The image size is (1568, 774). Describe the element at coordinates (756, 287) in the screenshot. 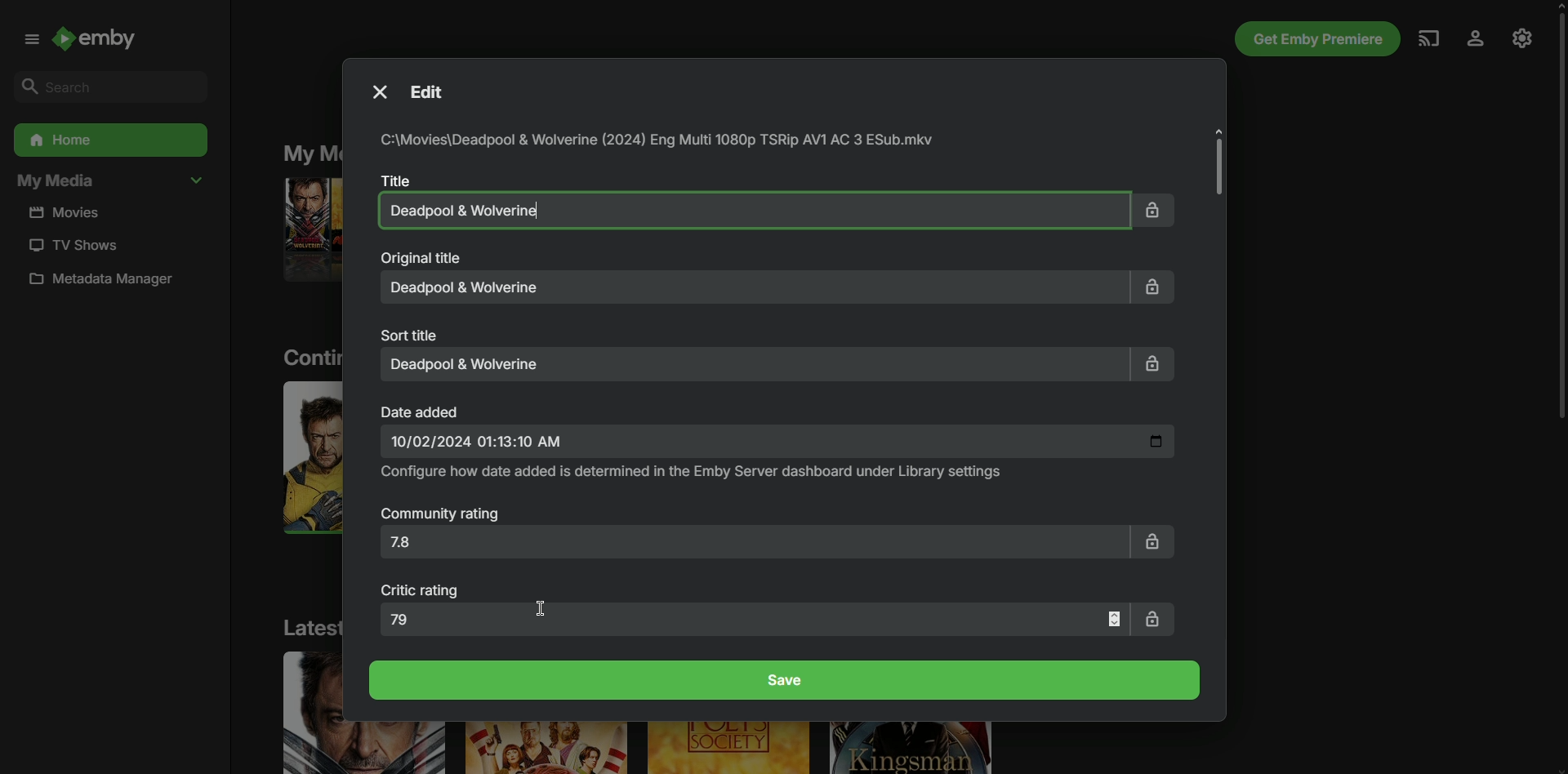

I see `Deadpool and Wolverine` at that location.